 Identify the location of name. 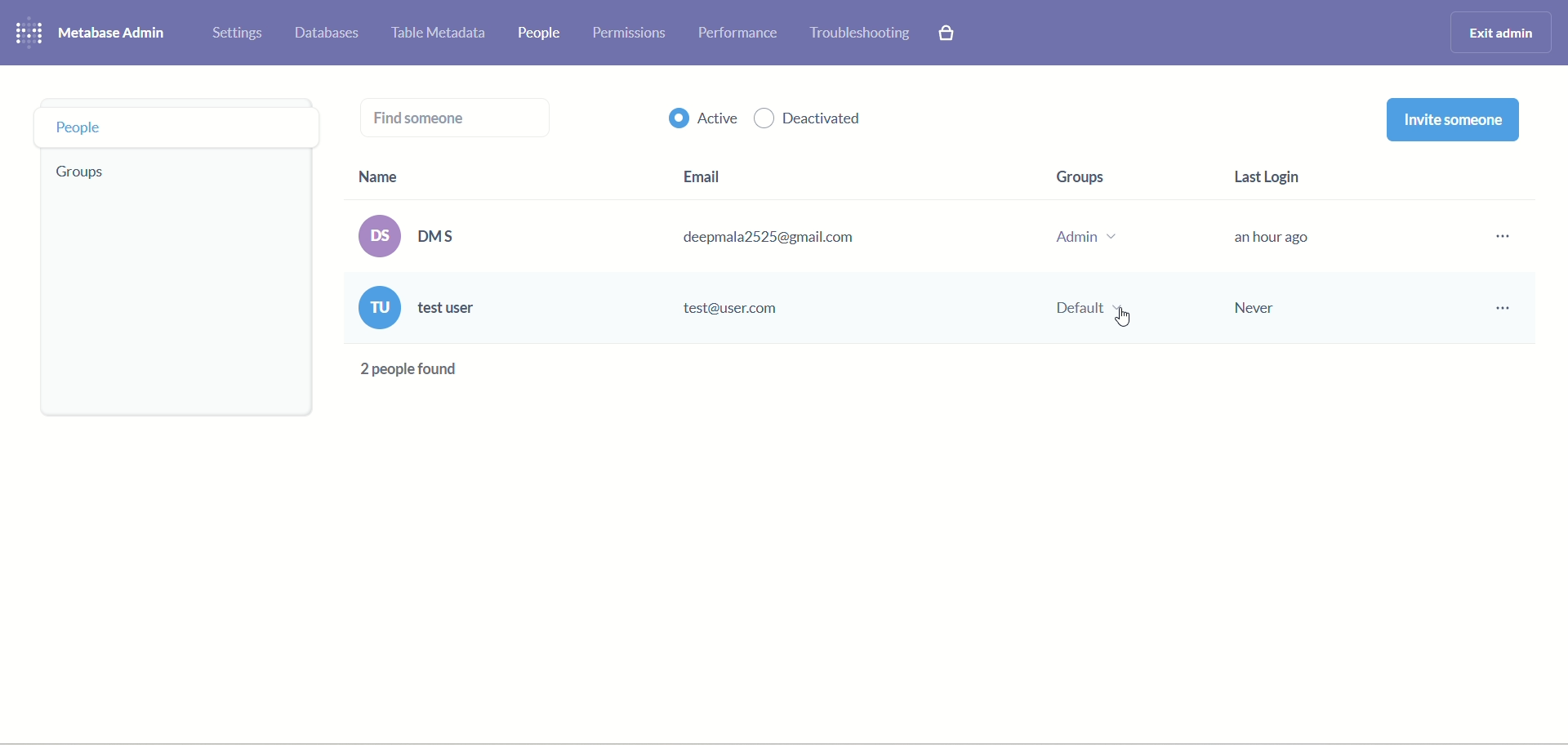
(418, 258).